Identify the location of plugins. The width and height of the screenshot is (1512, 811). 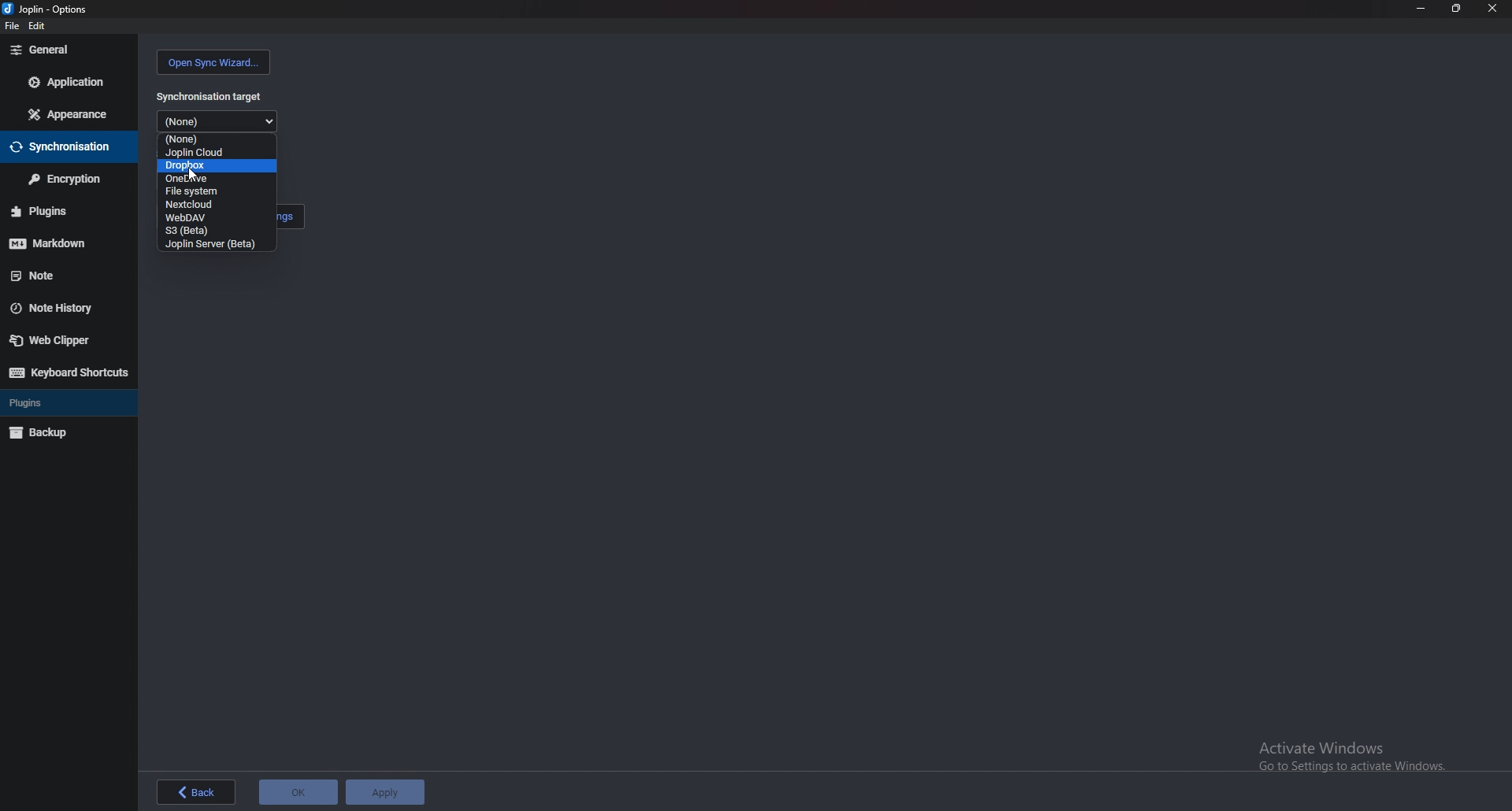
(40, 404).